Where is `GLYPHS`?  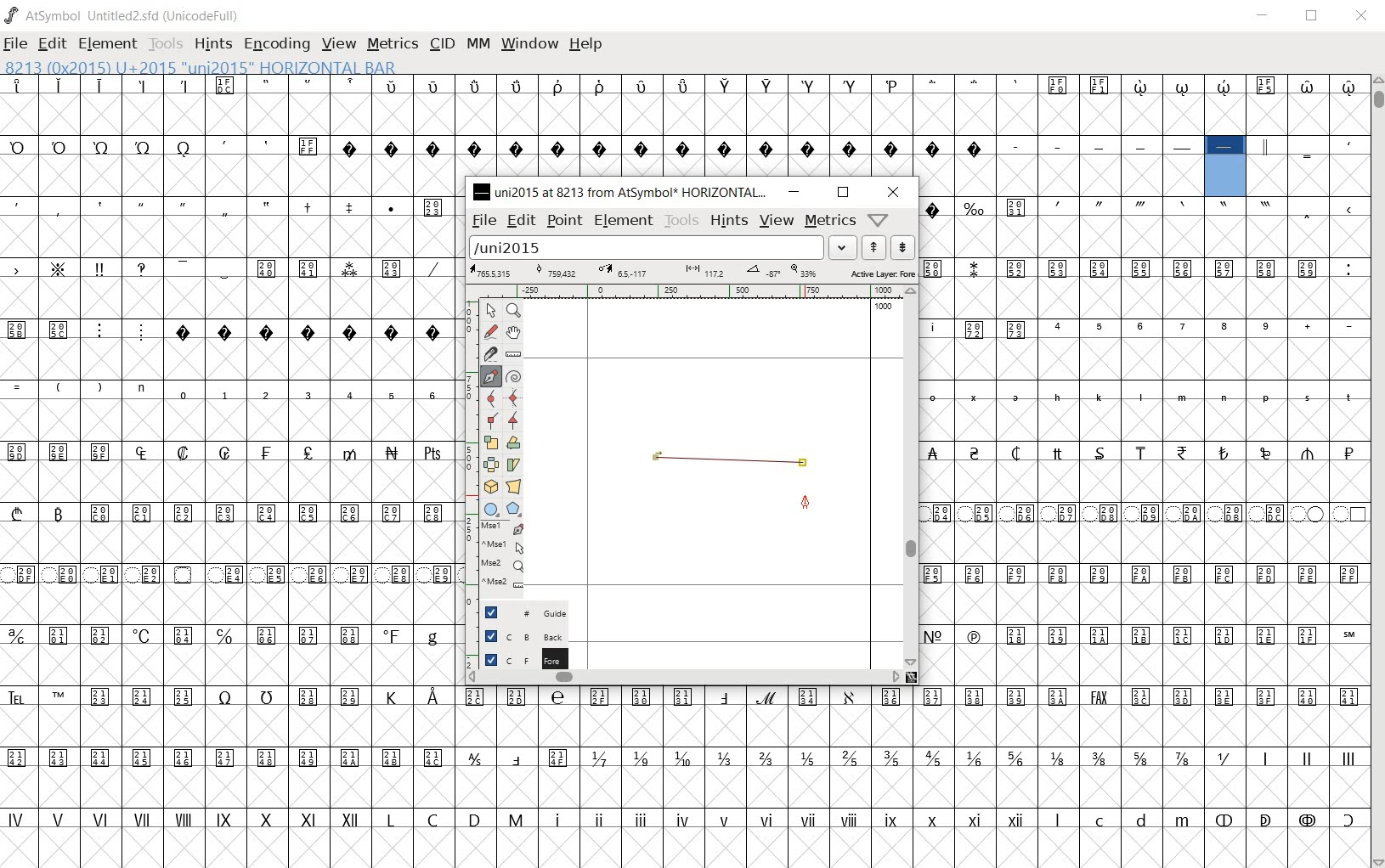 GLYPHS is located at coordinates (228, 470).